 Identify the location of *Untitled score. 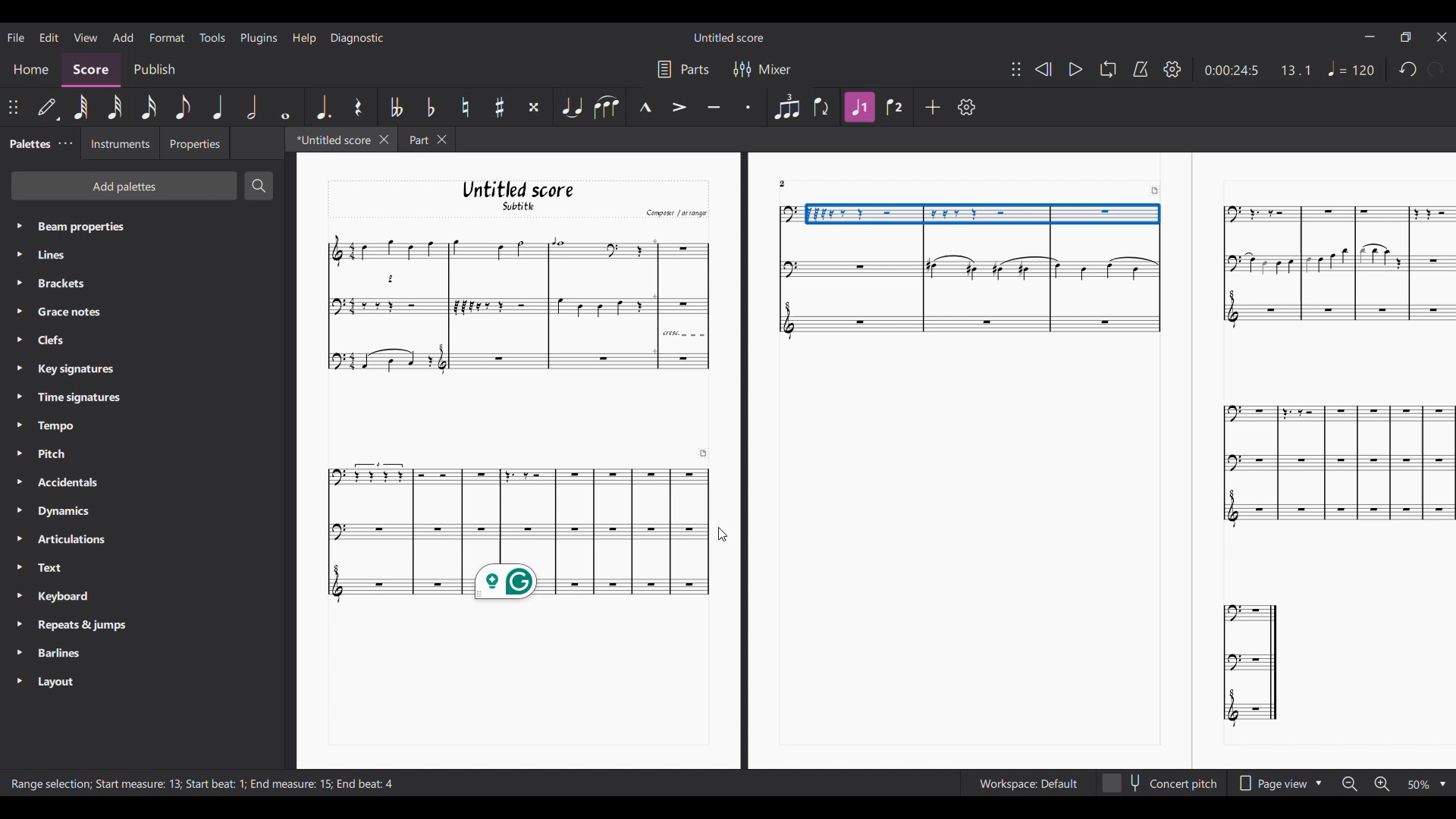
(328, 139).